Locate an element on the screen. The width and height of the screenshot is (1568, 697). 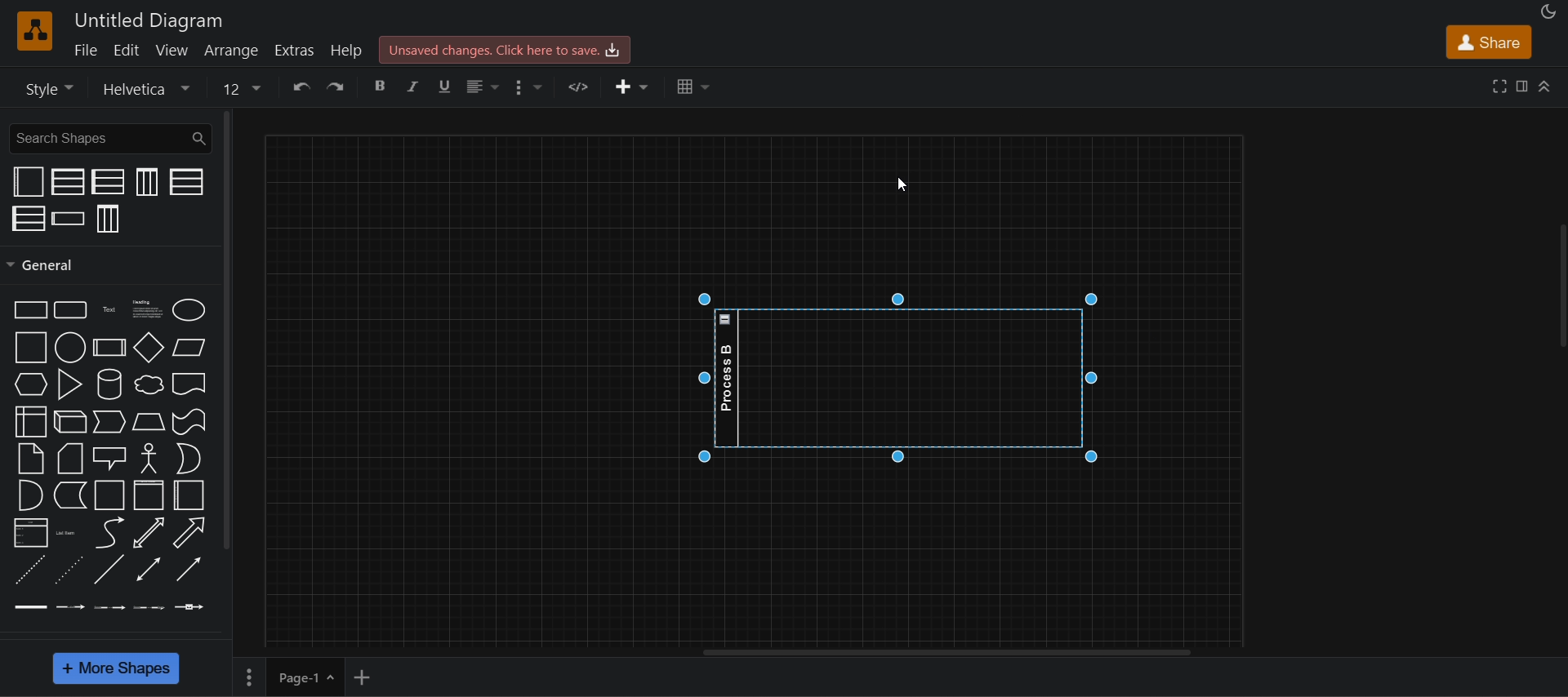
horizontal container is located at coordinates (189, 495).